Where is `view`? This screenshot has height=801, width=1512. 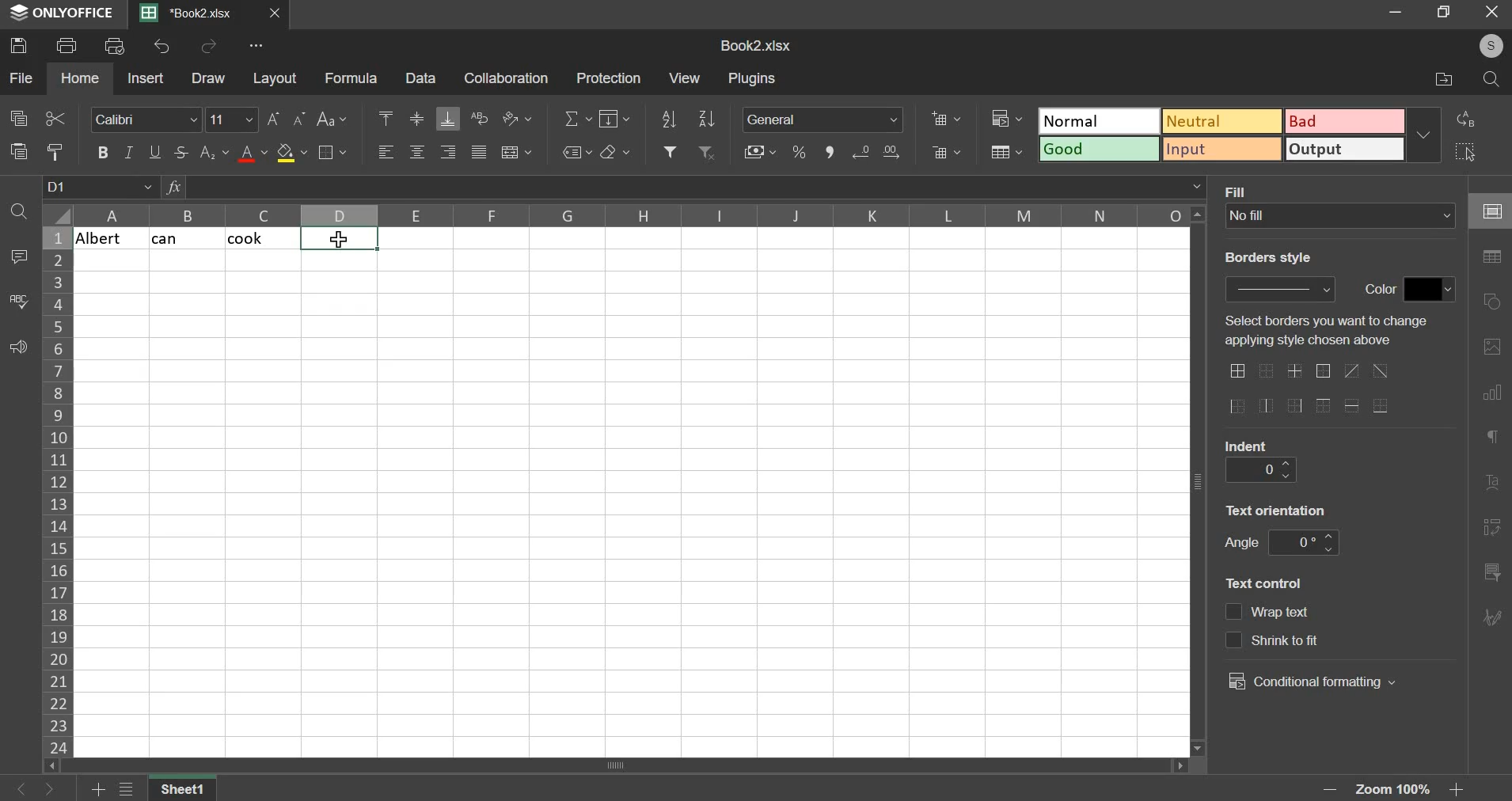 view is located at coordinates (684, 77).